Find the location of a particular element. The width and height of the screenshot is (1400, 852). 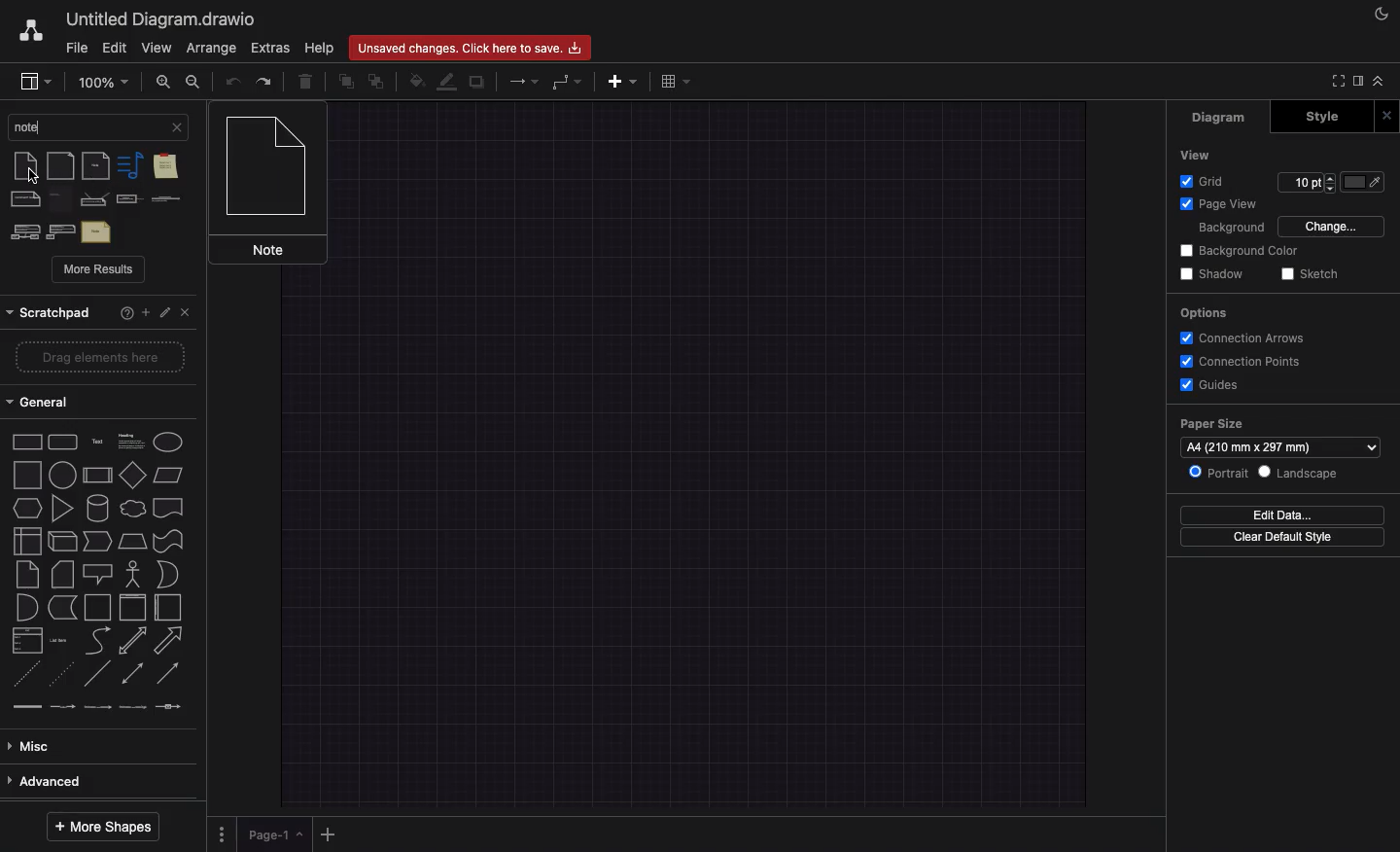

Help is located at coordinates (126, 314).